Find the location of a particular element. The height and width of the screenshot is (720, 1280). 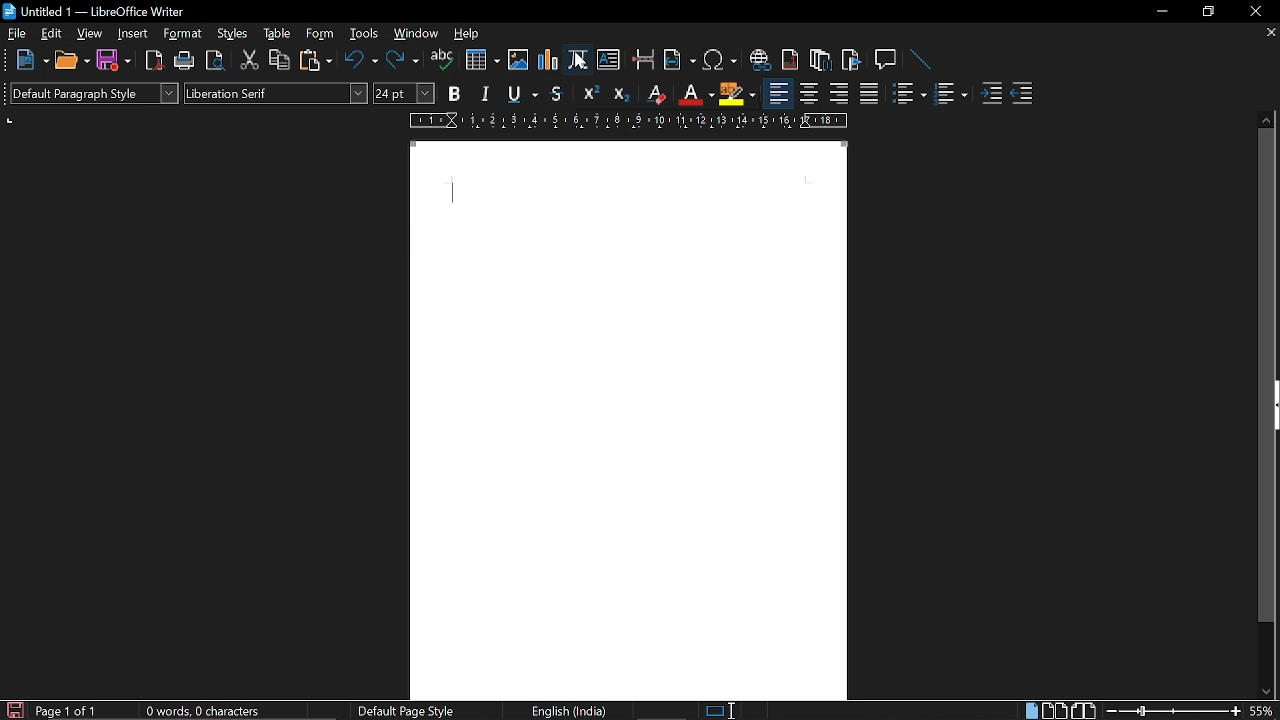

insert comment is located at coordinates (884, 59).